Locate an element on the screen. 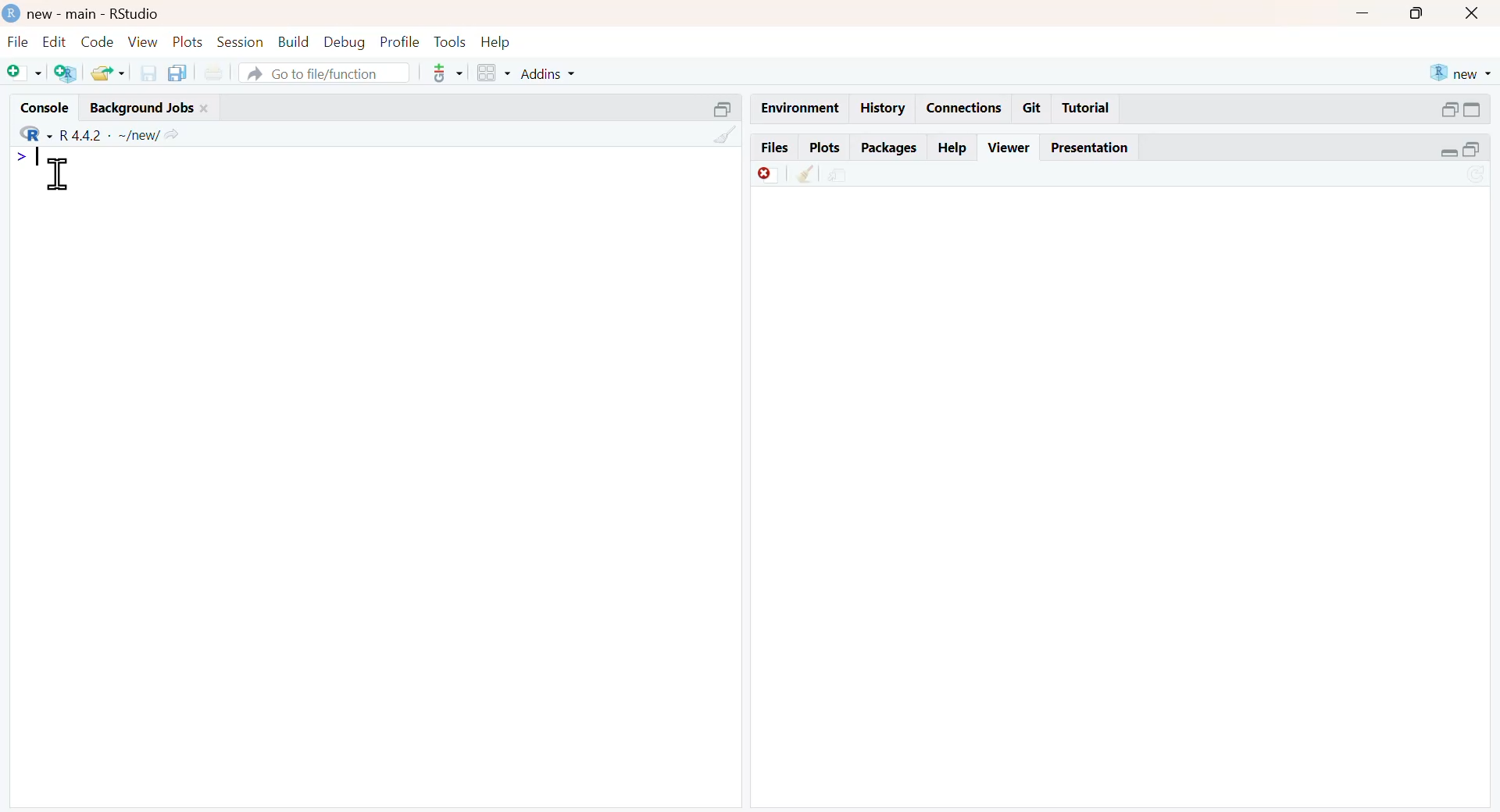  save is located at coordinates (149, 73).